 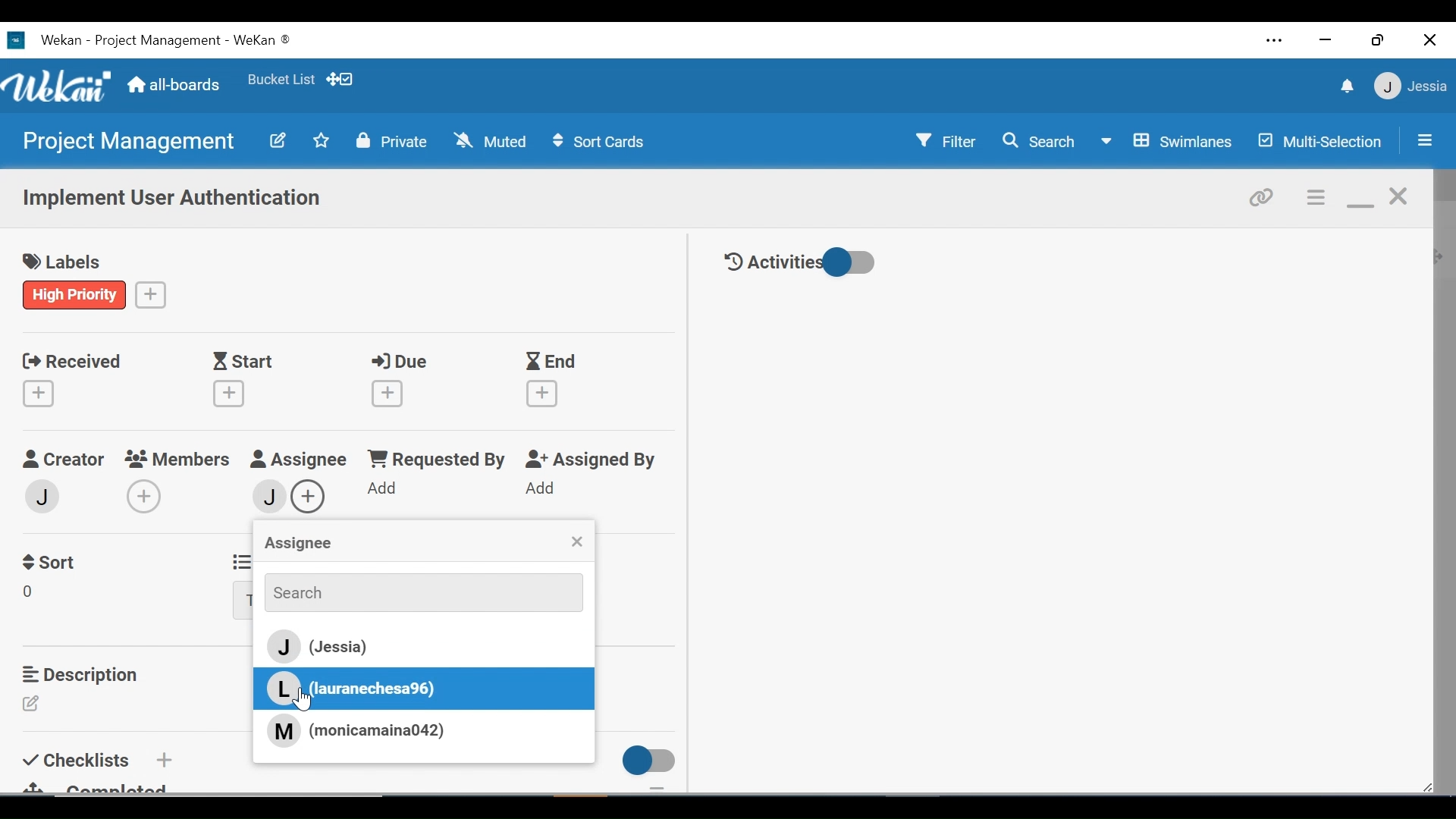 What do you see at coordinates (43, 495) in the screenshot?
I see `Member` at bounding box center [43, 495].